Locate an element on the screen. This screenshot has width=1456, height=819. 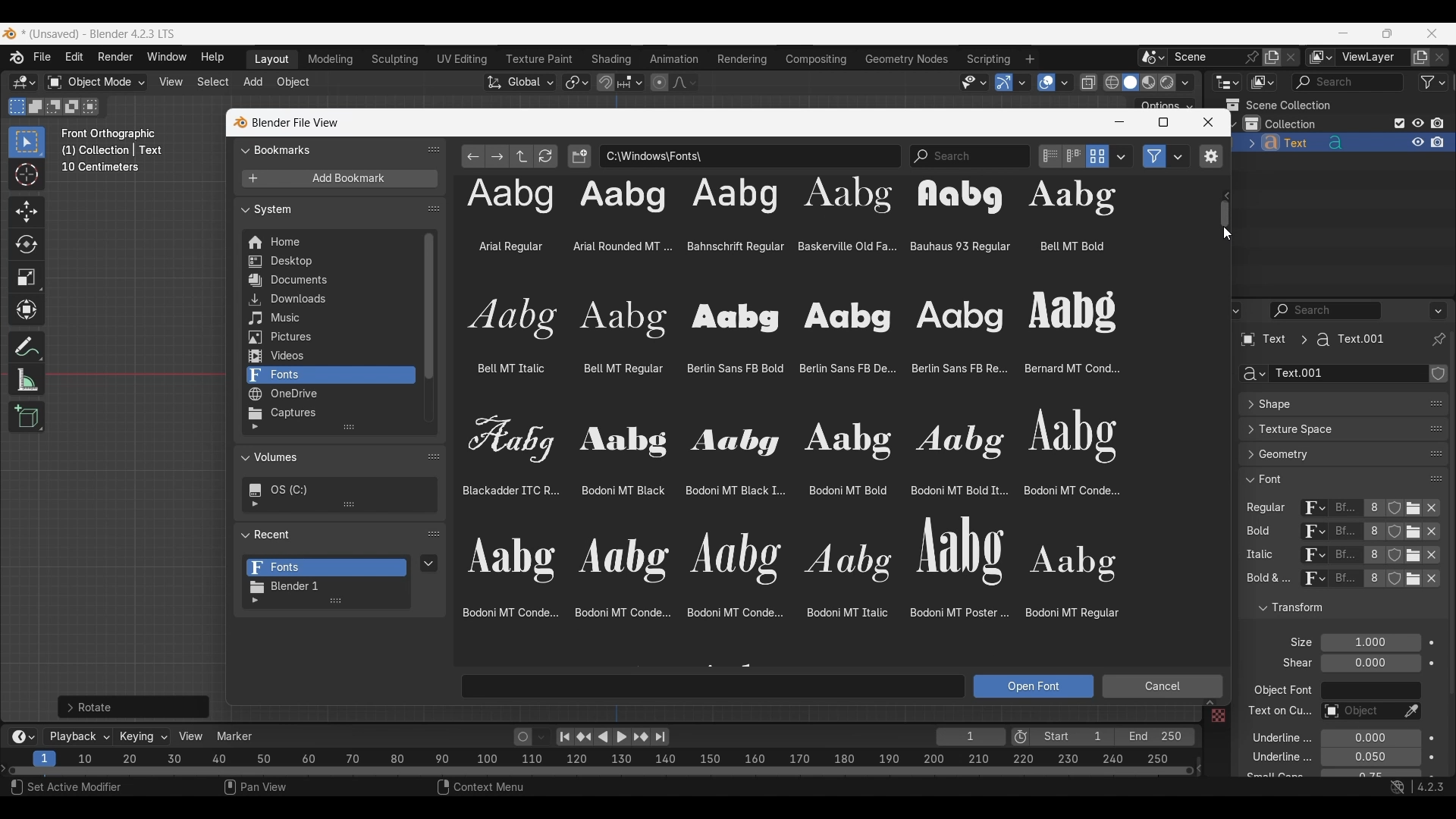
name of current font is located at coordinates (1345, 532).